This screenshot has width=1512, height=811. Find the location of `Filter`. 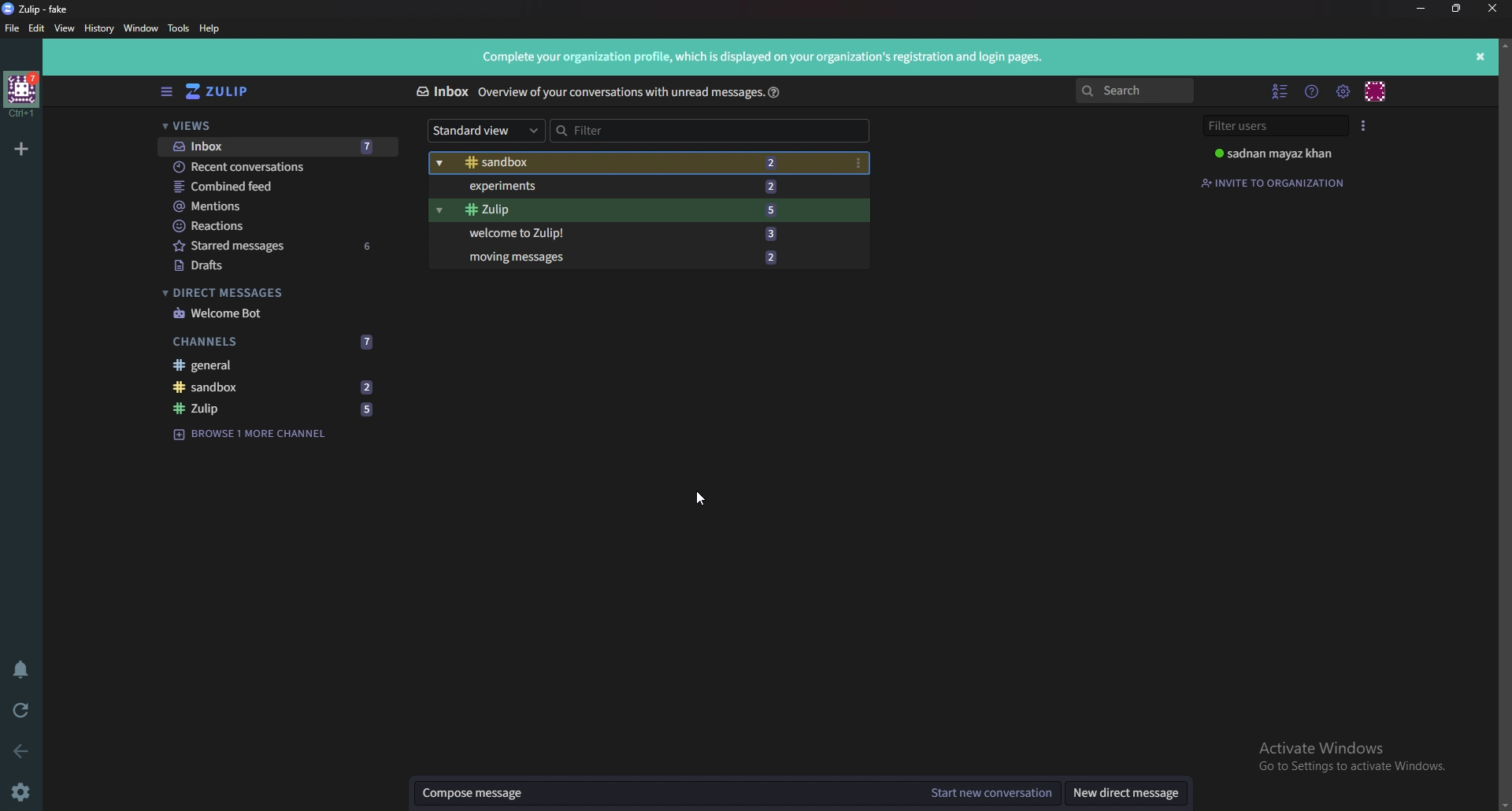

Filter is located at coordinates (699, 131).